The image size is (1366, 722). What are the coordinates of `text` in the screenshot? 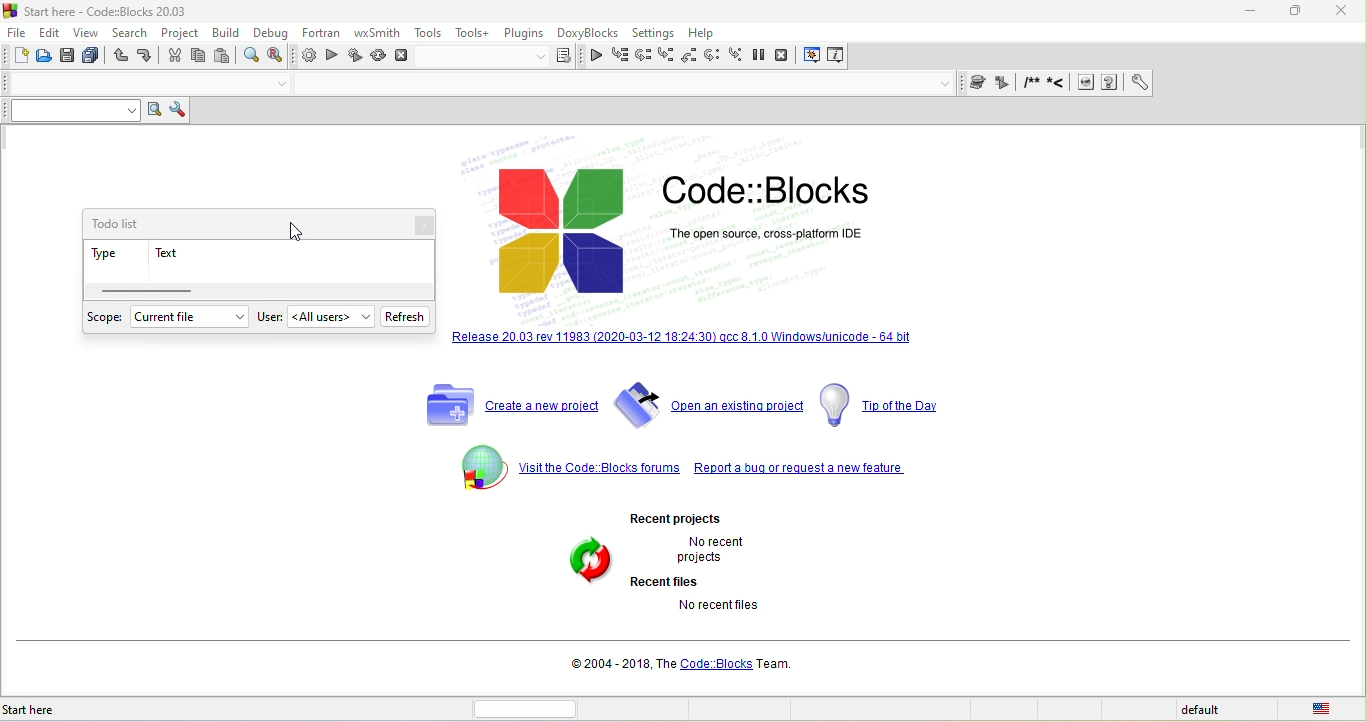 It's located at (183, 253).